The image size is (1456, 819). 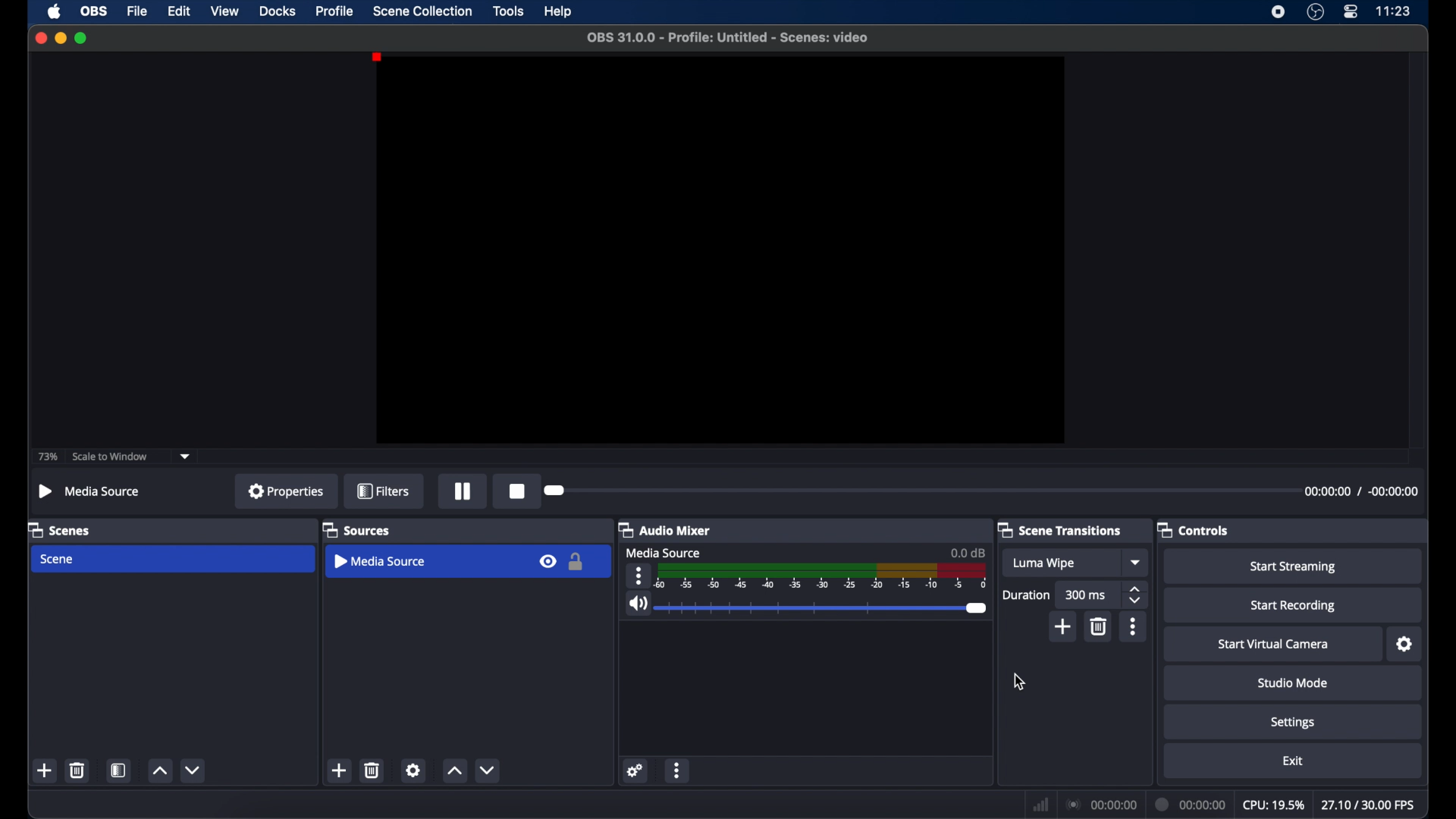 What do you see at coordinates (277, 11) in the screenshot?
I see `docks` at bounding box center [277, 11].